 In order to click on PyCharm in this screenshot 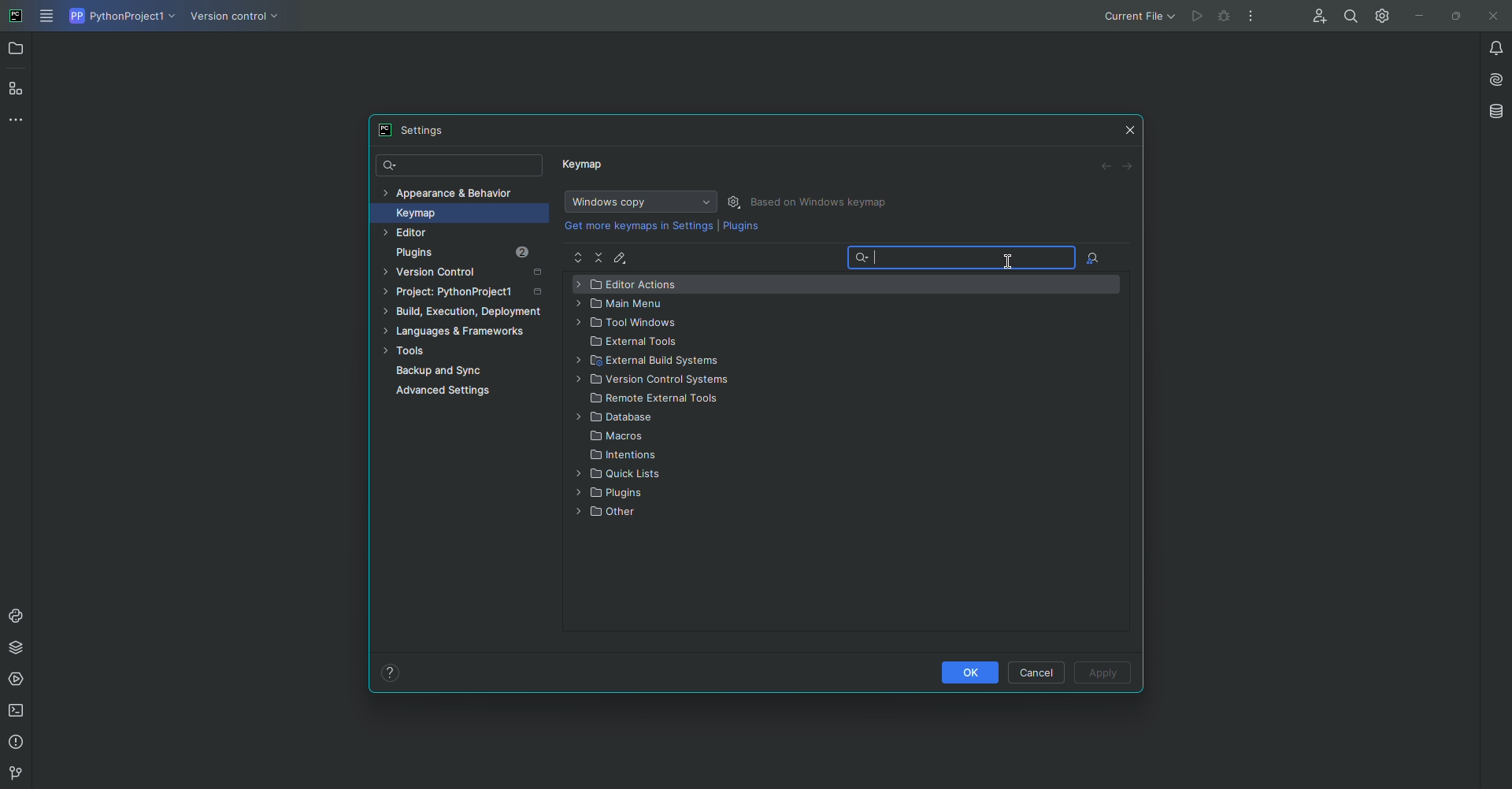, I will do `click(17, 17)`.